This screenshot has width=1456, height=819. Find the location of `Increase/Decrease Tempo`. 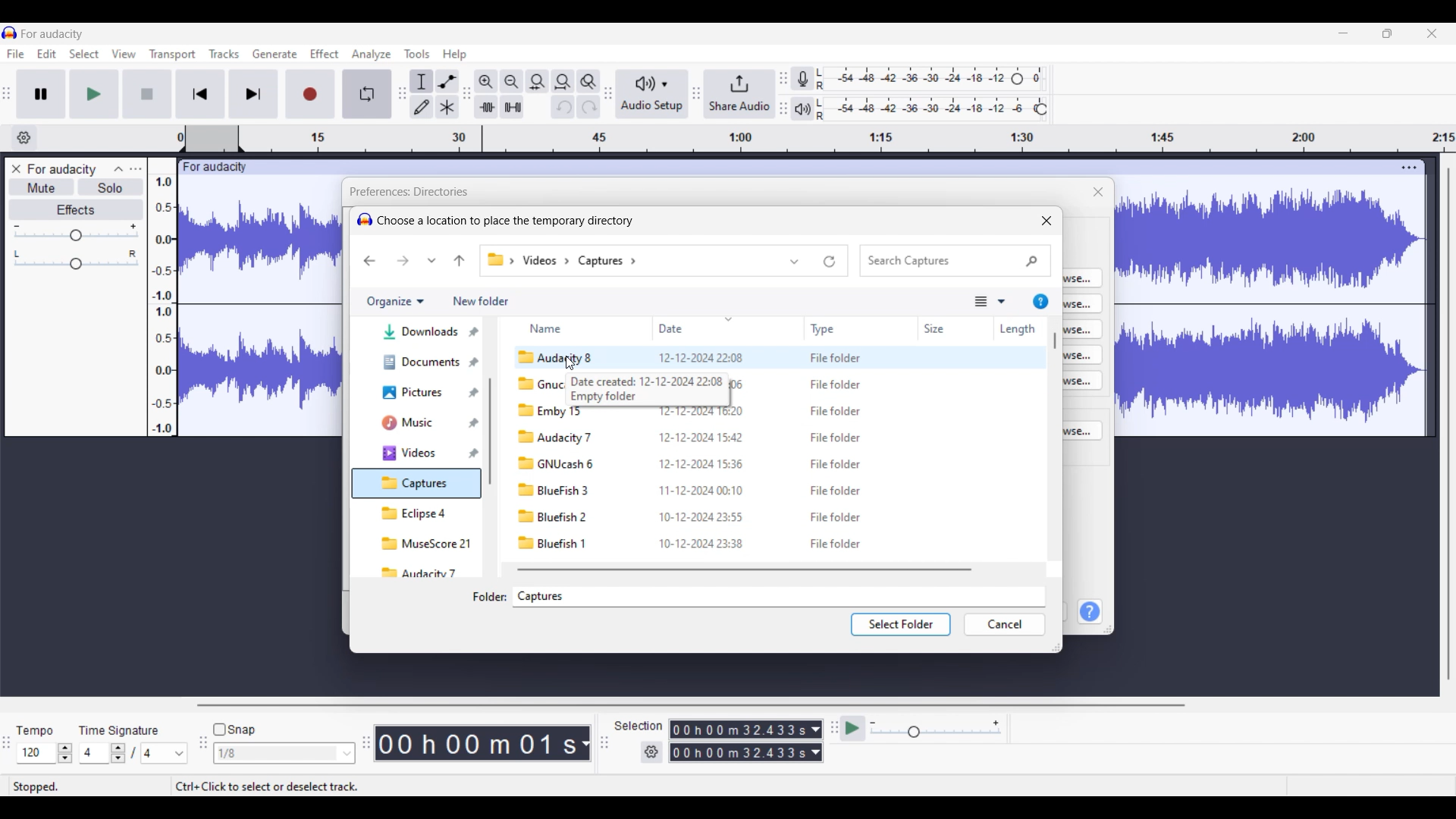

Increase/Decrease Tempo is located at coordinates (65, 753).